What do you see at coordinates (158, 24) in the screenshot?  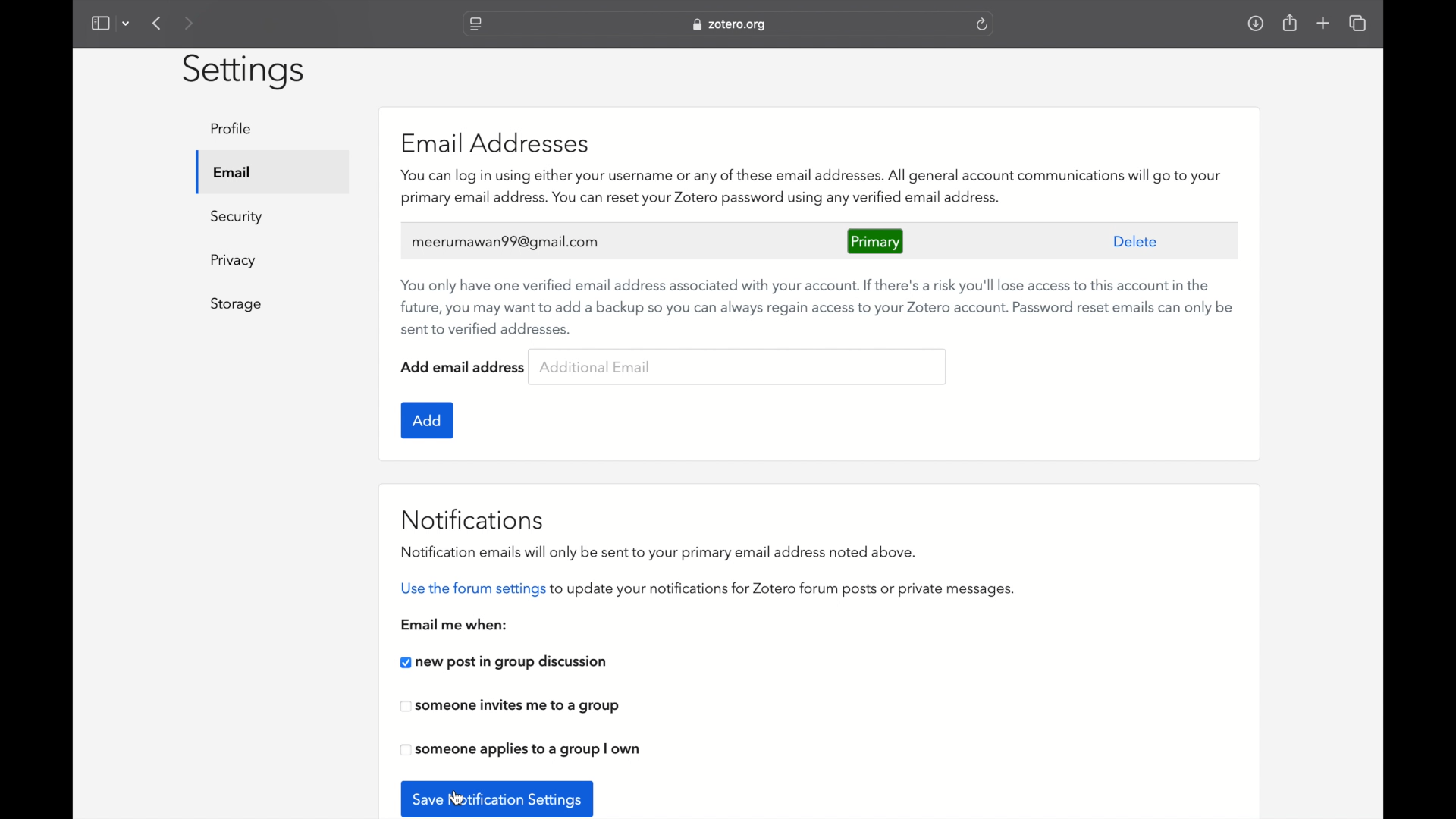 I see `previous` at bounding box center [158, 24].